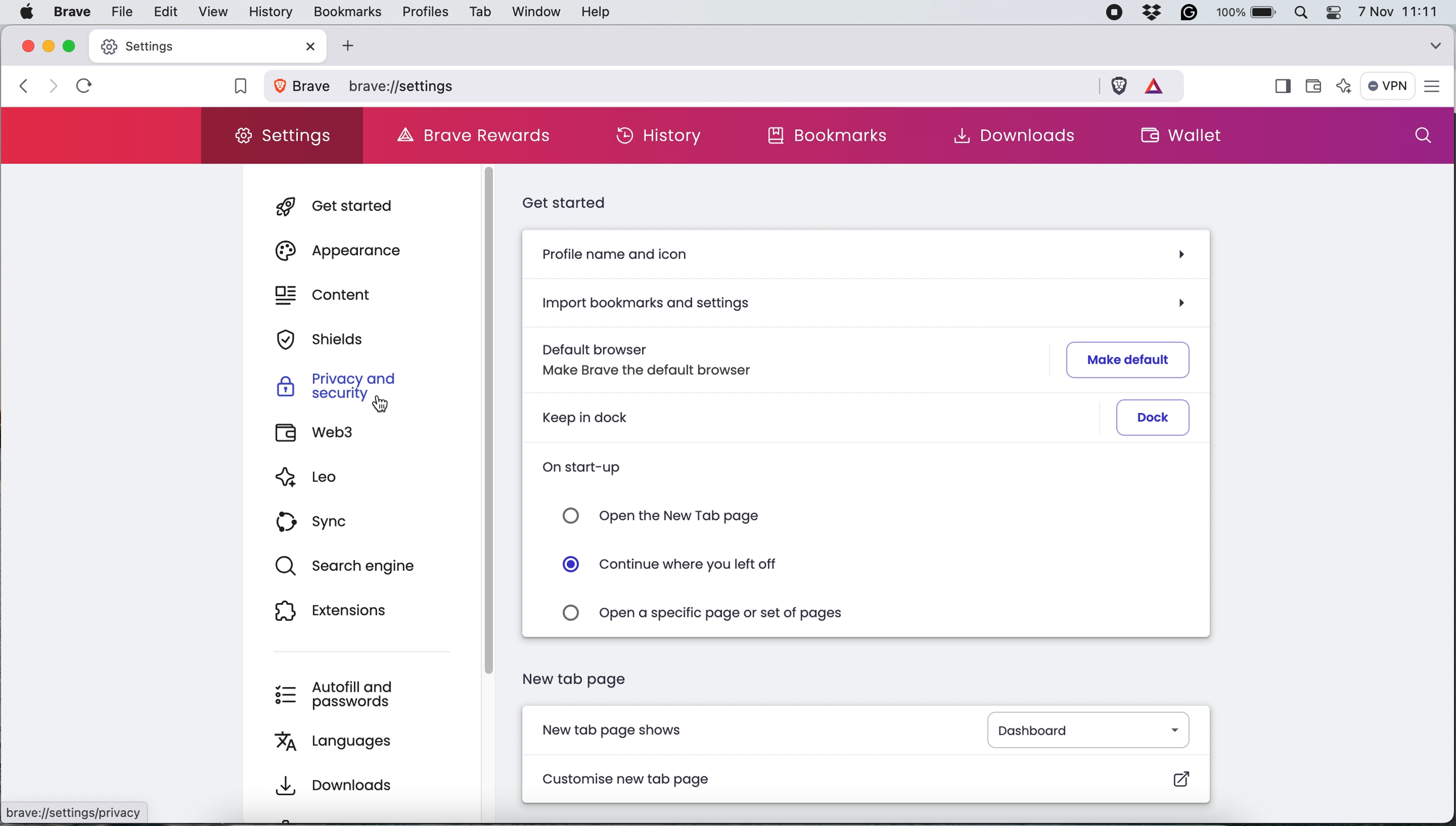 Image resolution: width=1456 pixels, height=826 pixels. Describe the element at coordinates (1282, 87) in the screenshot. I see `show sidebar` at that location.